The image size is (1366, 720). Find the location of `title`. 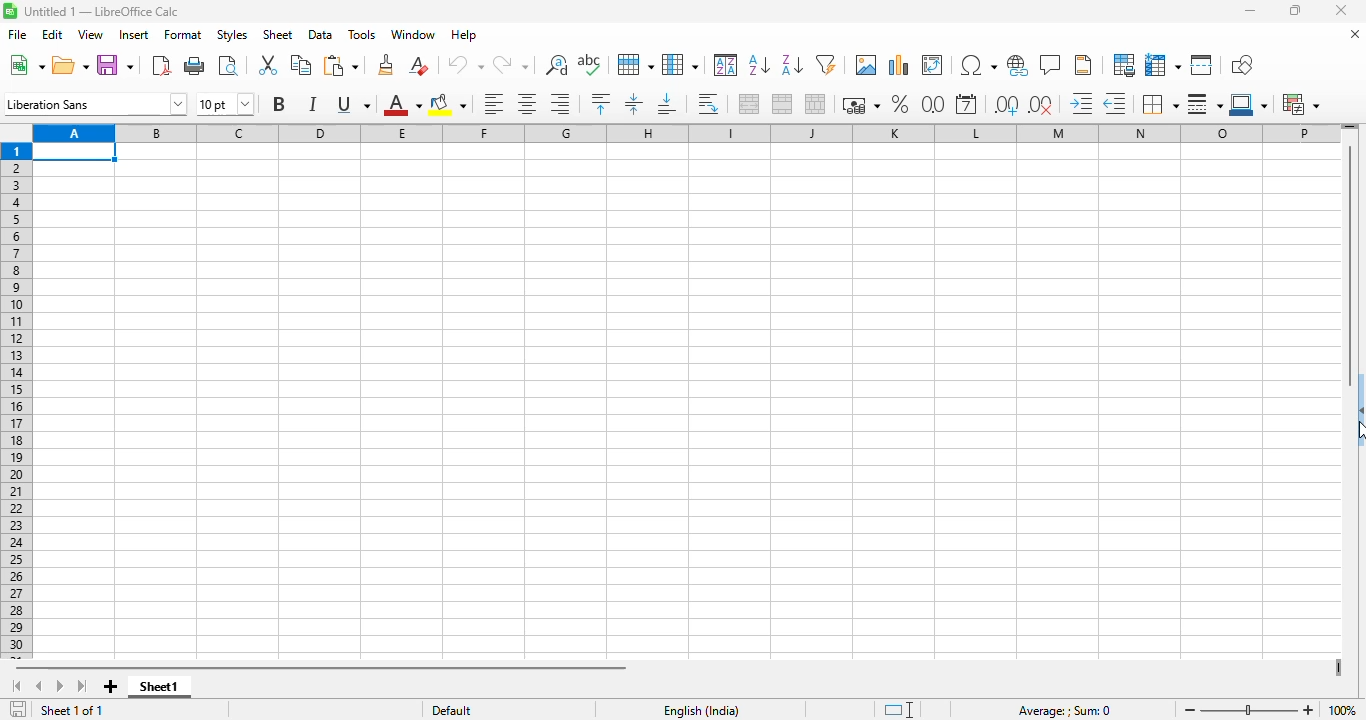

title is located at coordinates (102, 11).